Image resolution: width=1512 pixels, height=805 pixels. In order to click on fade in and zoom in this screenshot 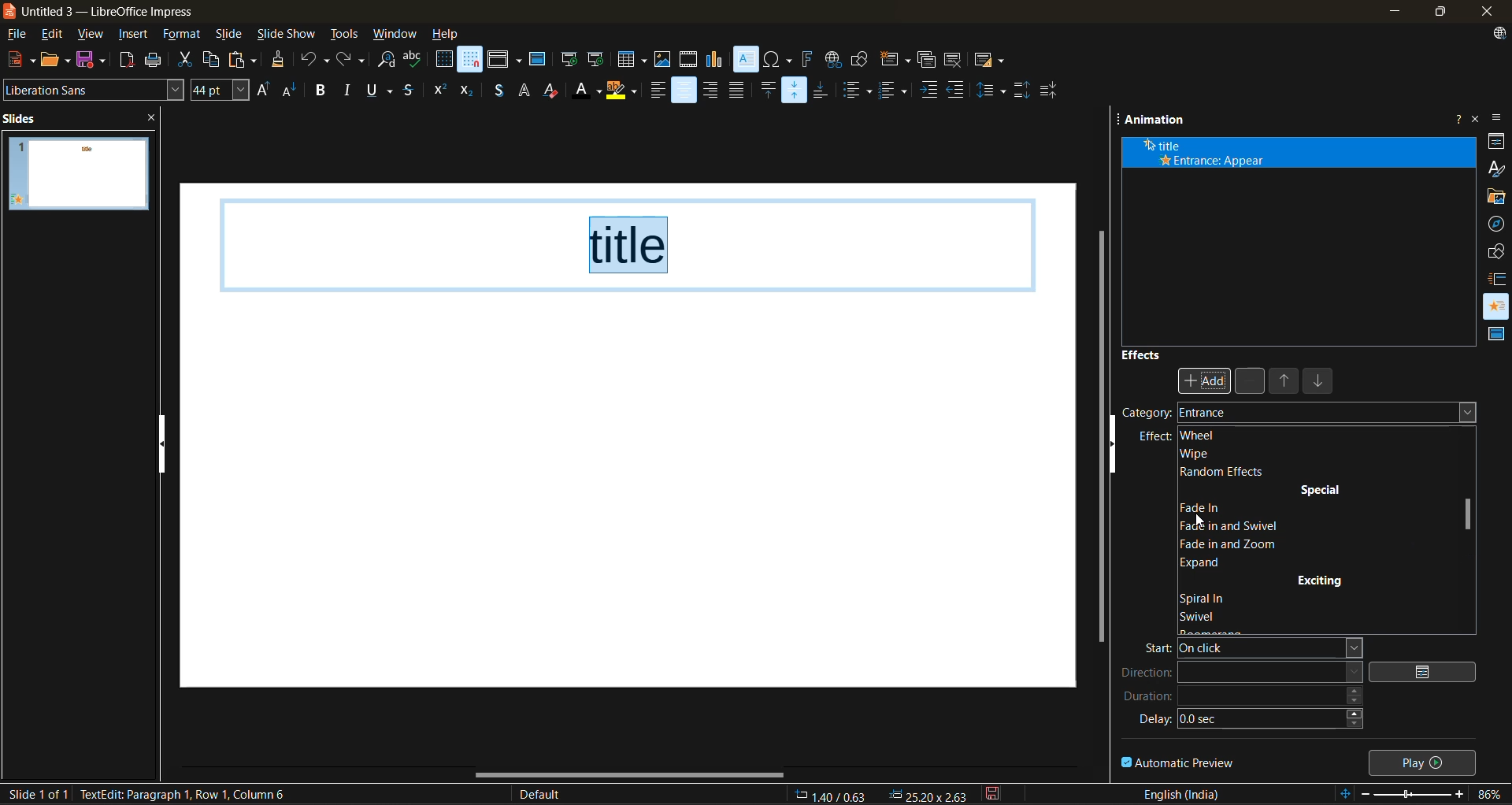, I will do `click(1233, 543)`.